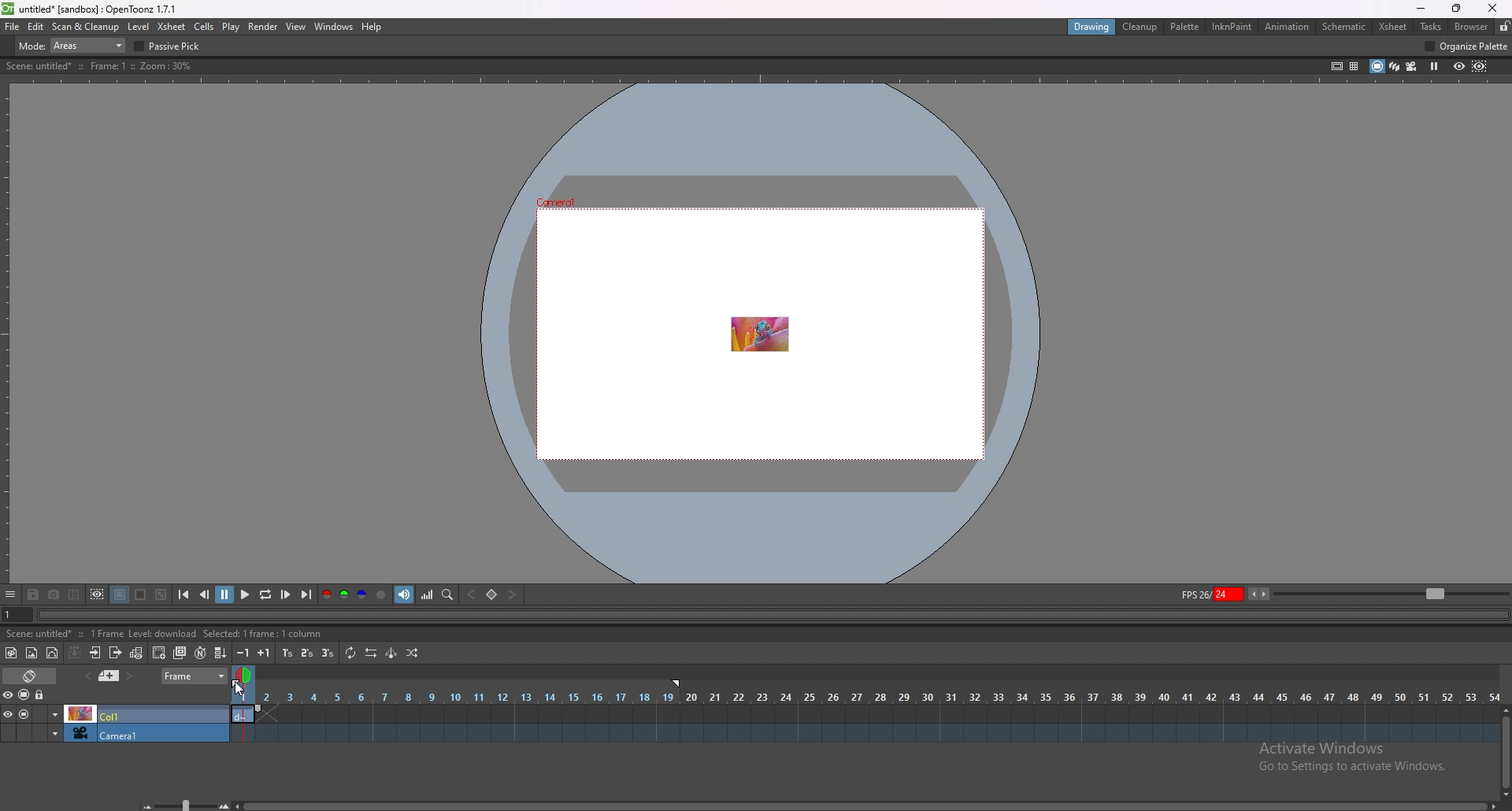  What do you see at coordinates (74, 594) in the screenshot?
I see `compare to snapshot` at bounding box center [74, 594].